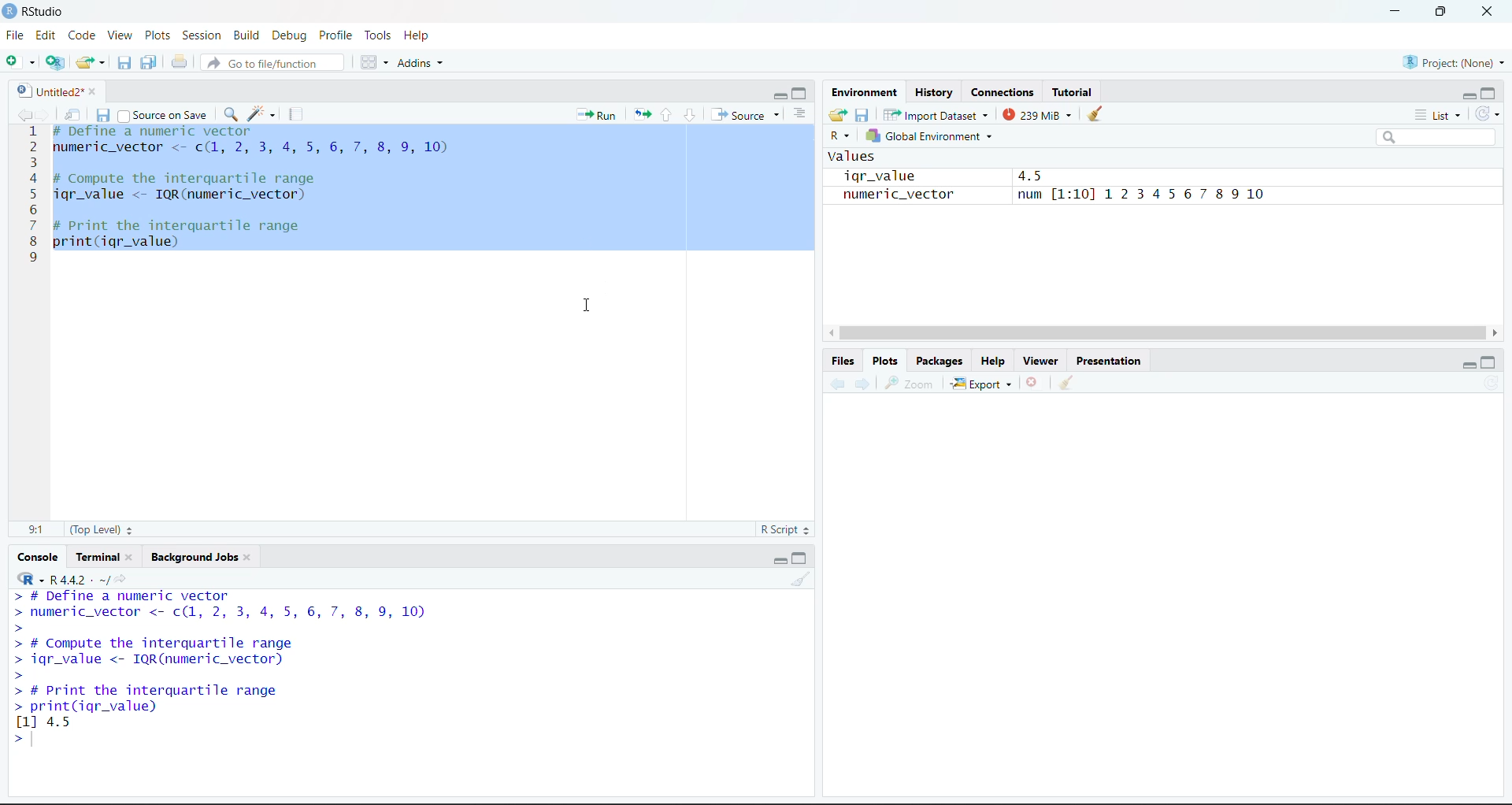  I want to click on Go back to the previous source location (Ctrl + F9), so click(832, 382).